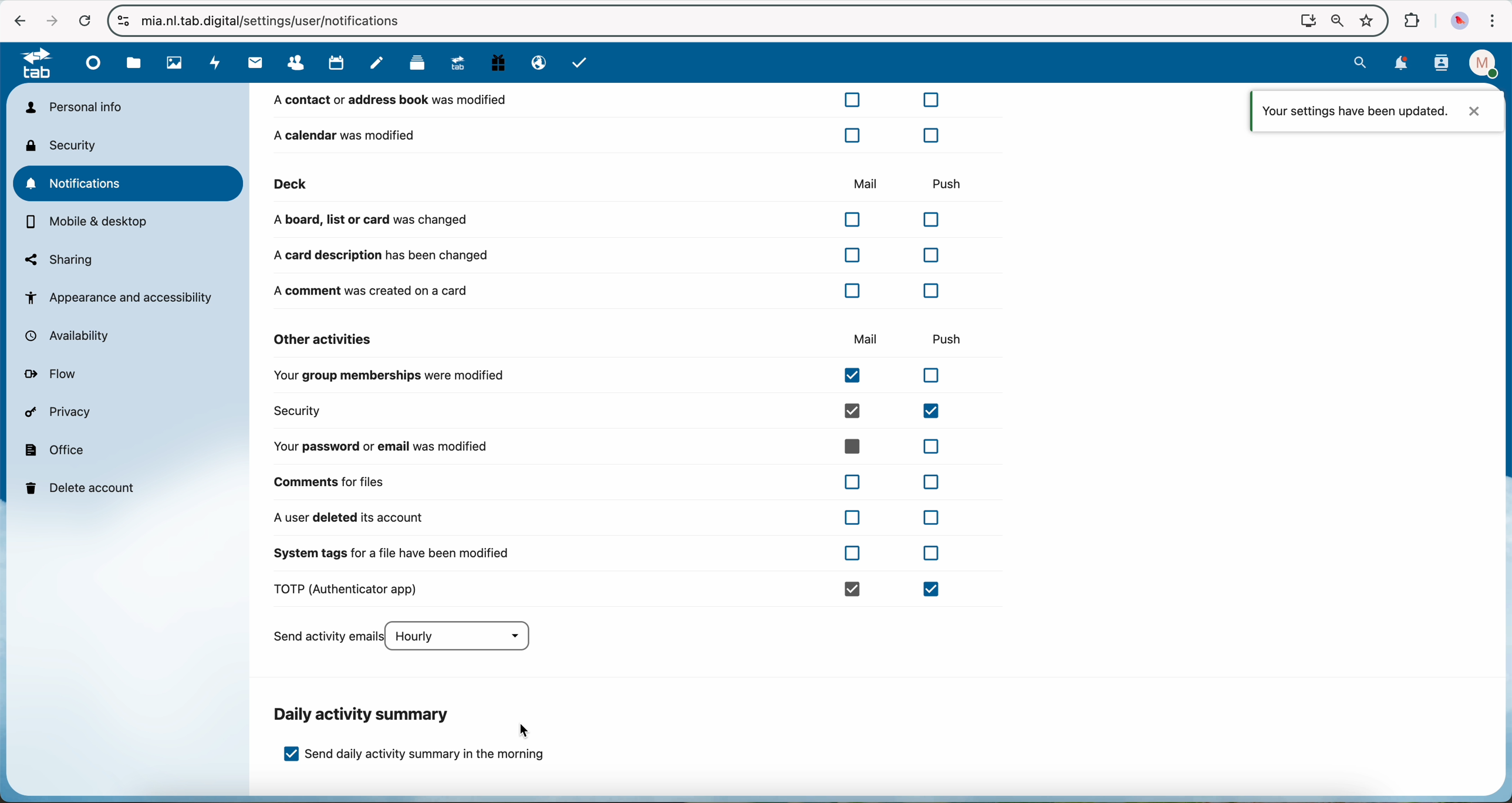 The height and width of the screenshot is (803, 1512). I want to click on daily activity summary, so click(364, 714).